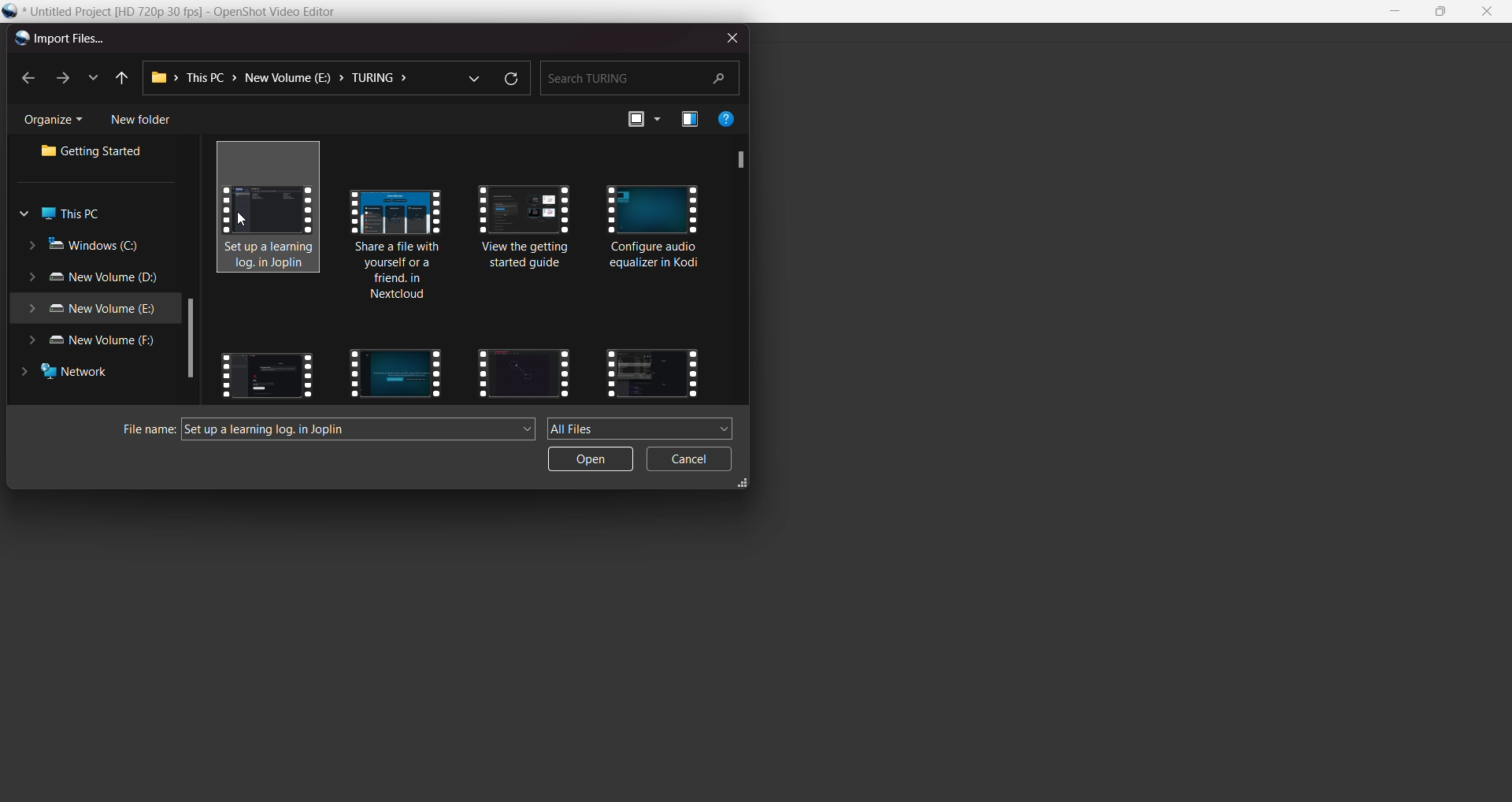 This screenshot has height=802, width=1512. I want to click on close dialog, so click(728, 36).